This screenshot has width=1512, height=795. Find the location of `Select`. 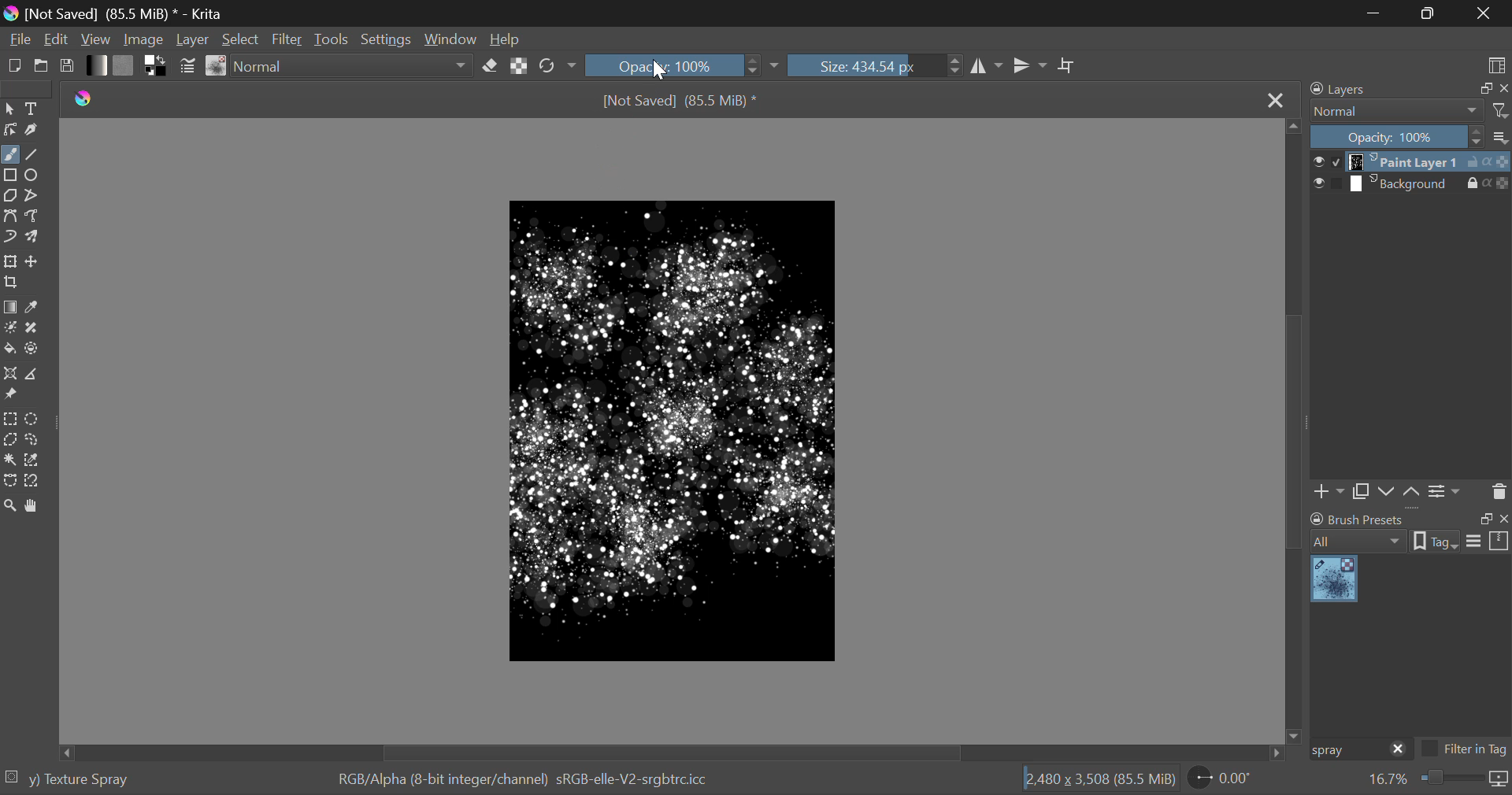

Select is located at coordinates (9, 109).